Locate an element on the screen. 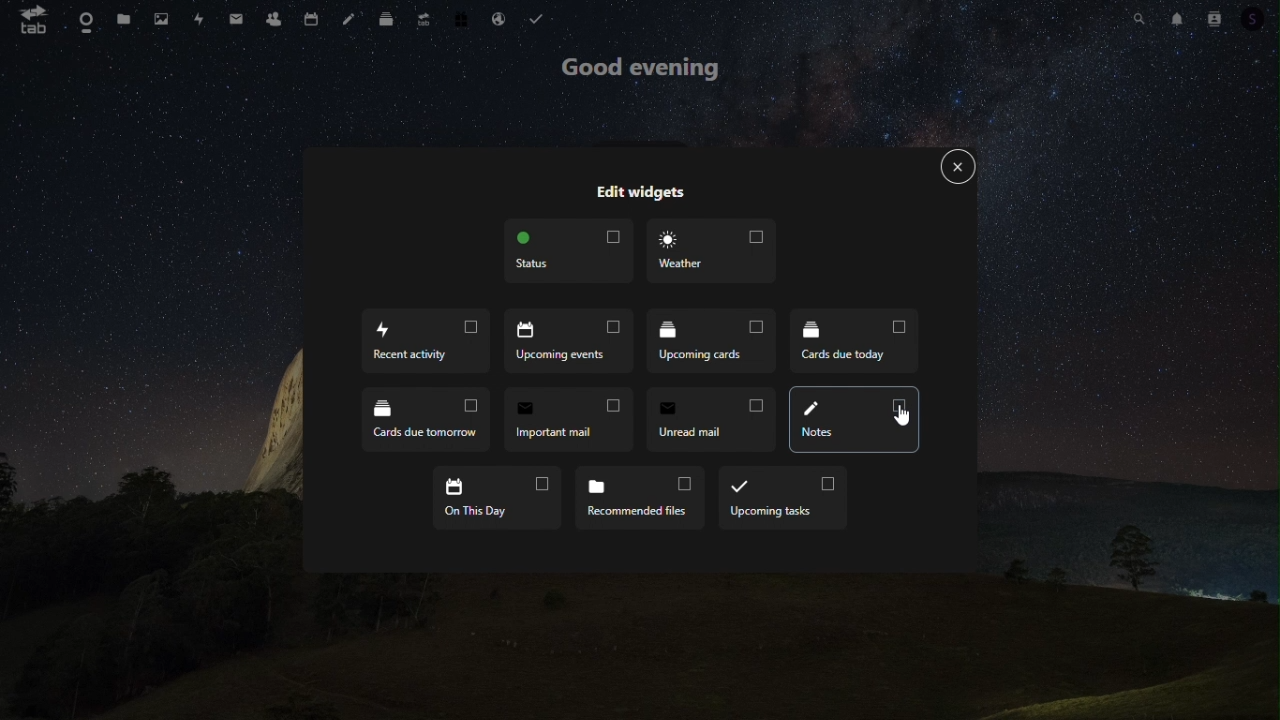 This screenshot has height=720, width=1280. Contacts is located at coordinates (274, 19).